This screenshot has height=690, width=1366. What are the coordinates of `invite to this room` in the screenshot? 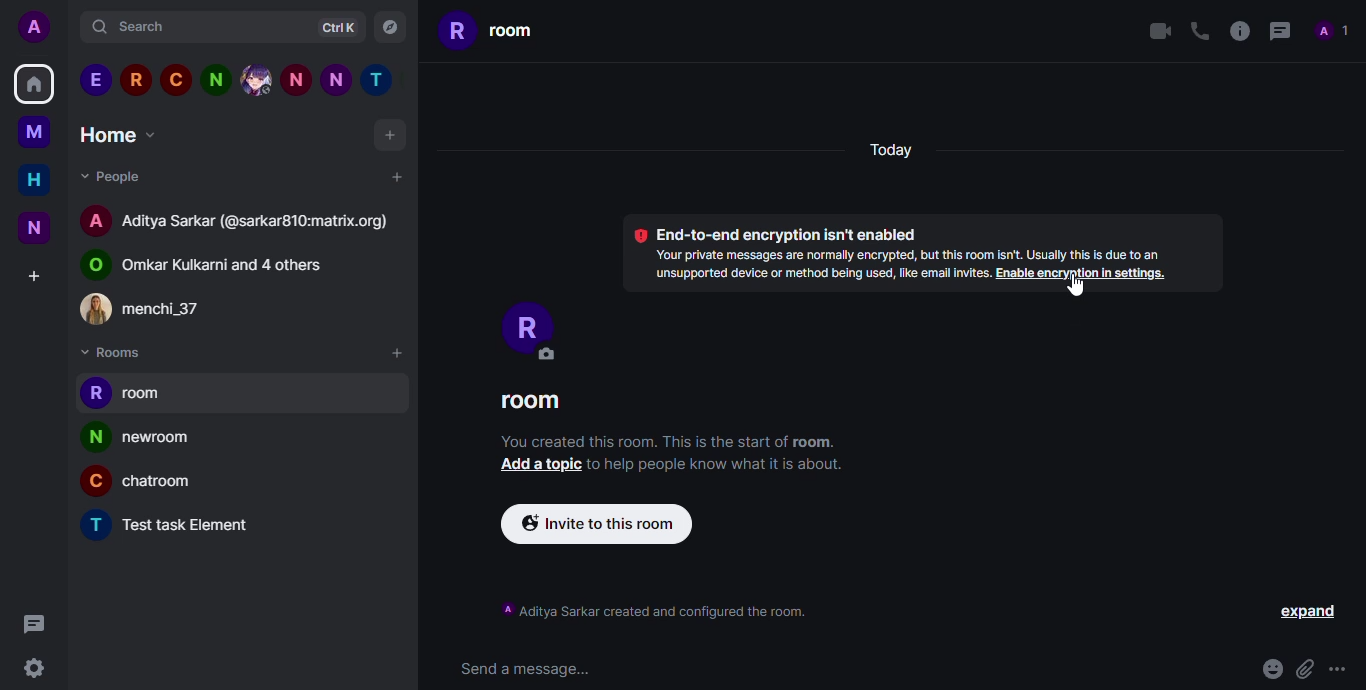 It's located at (599, 524).